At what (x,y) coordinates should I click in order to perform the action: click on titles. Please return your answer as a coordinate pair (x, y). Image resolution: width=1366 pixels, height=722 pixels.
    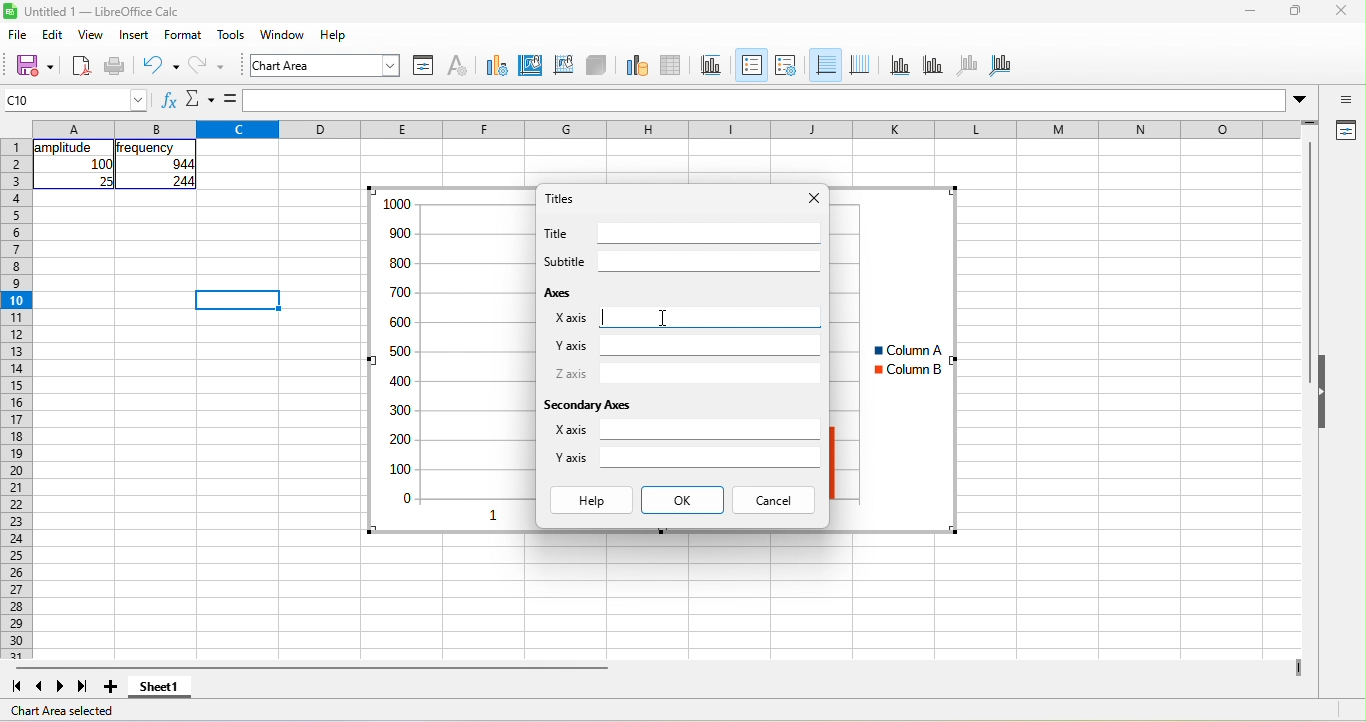
    Looking at the image, I should click on (560, 198).